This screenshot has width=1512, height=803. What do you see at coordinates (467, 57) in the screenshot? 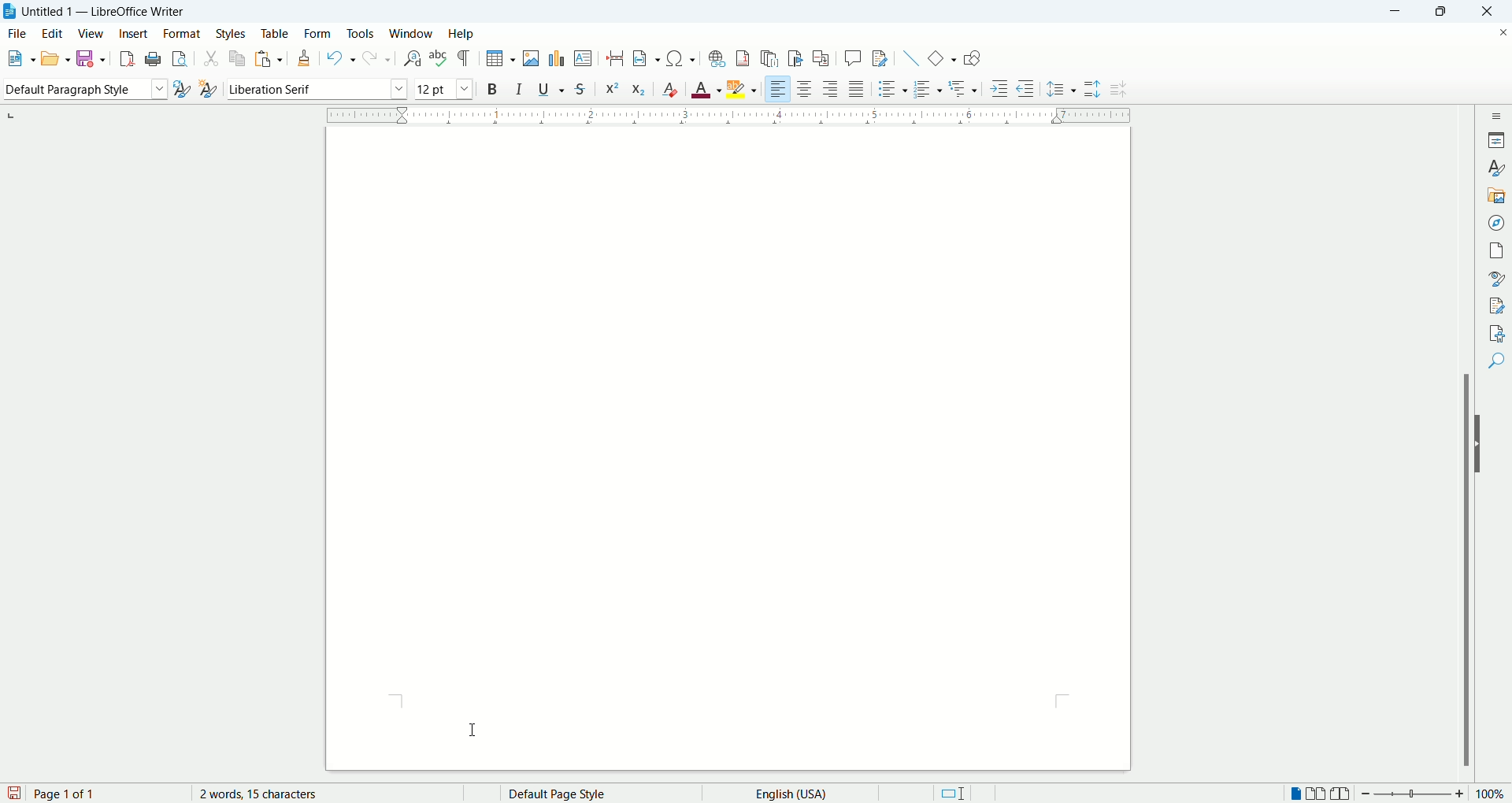
I see `formatting marks` at bounding box center [467, 57].